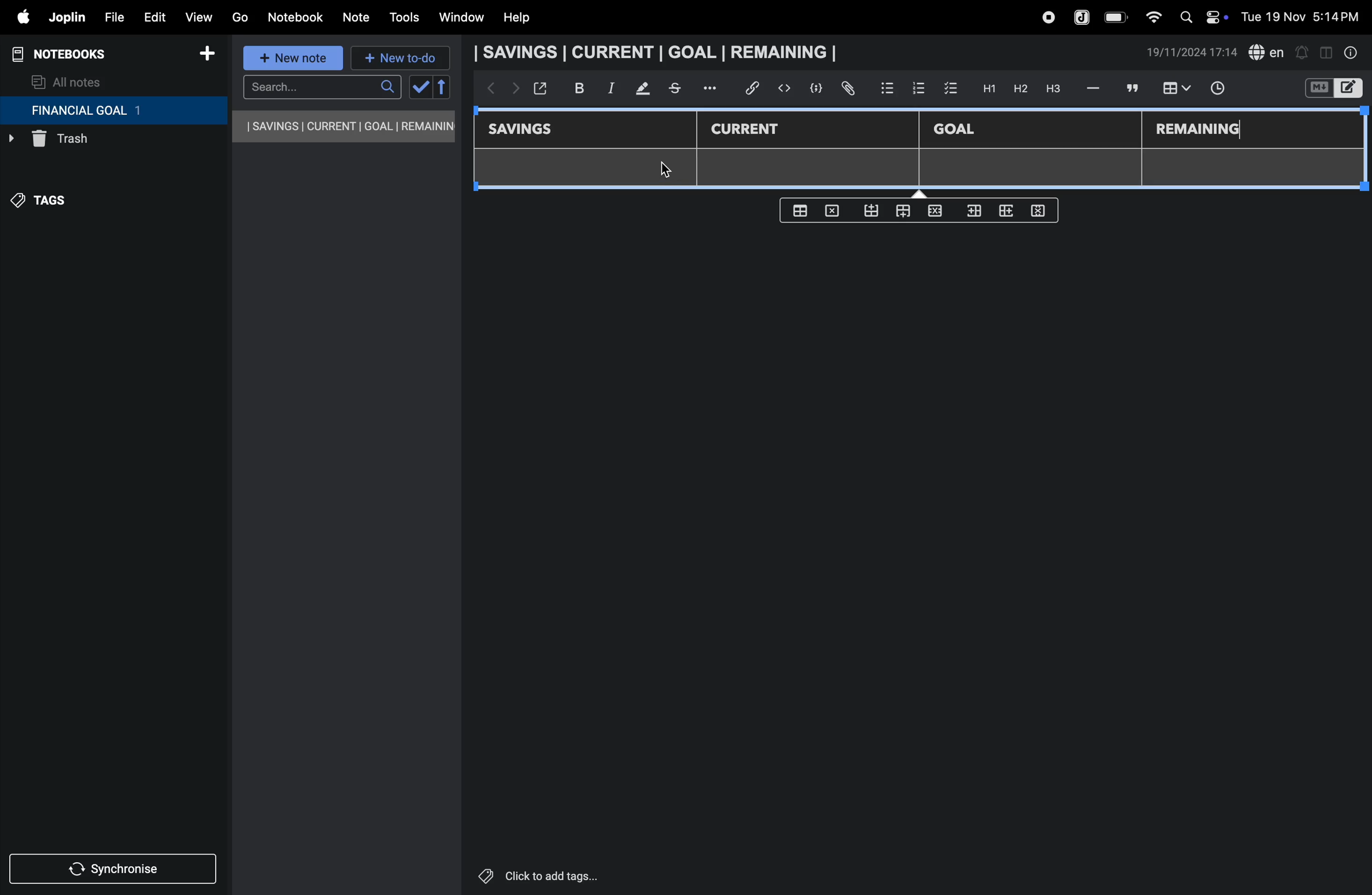  I want to click on time, so click(1225, 89).